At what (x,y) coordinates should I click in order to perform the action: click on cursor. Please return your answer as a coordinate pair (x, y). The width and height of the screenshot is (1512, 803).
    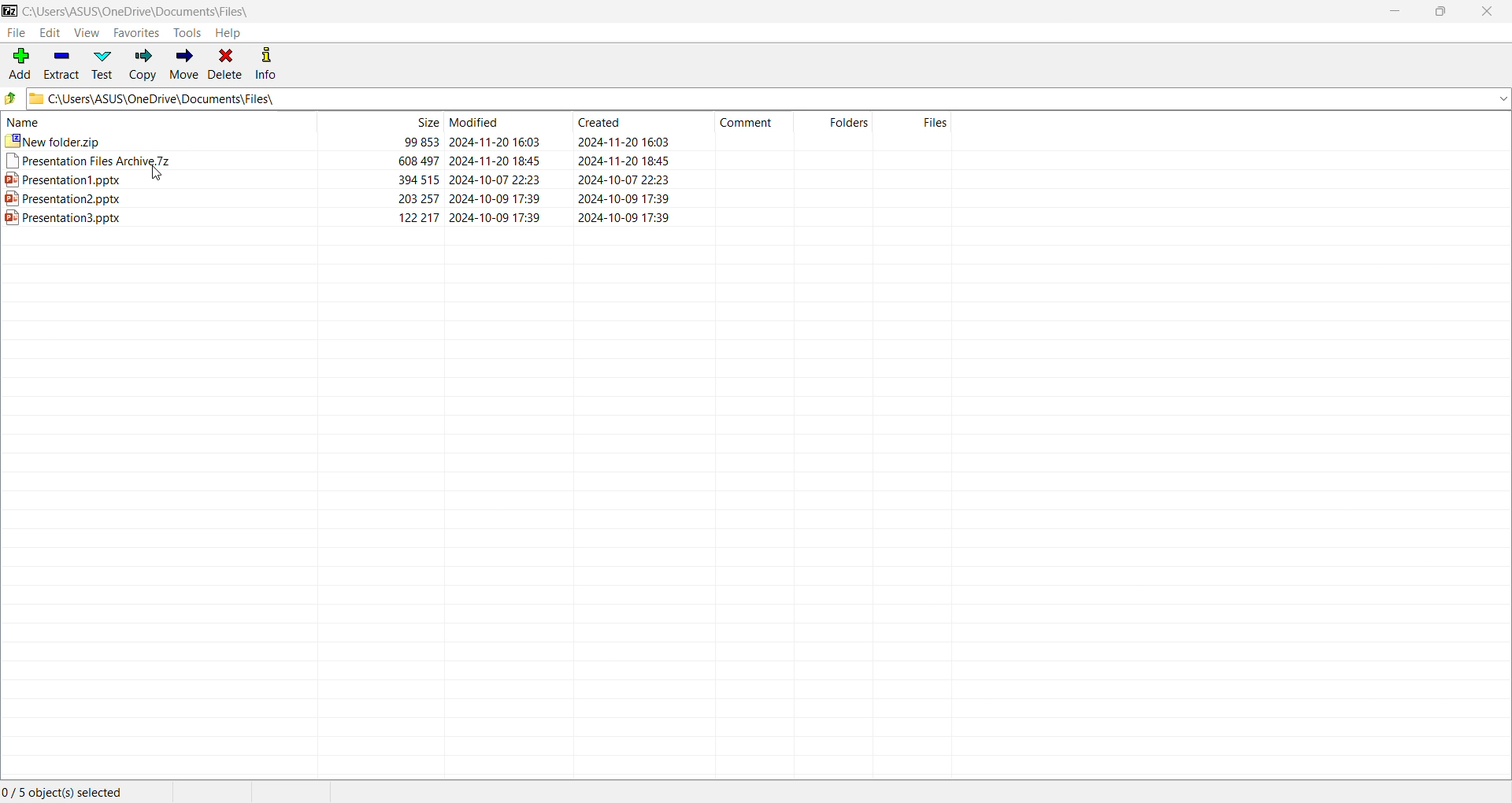
    Looking at the image, I should click on (157, 174).